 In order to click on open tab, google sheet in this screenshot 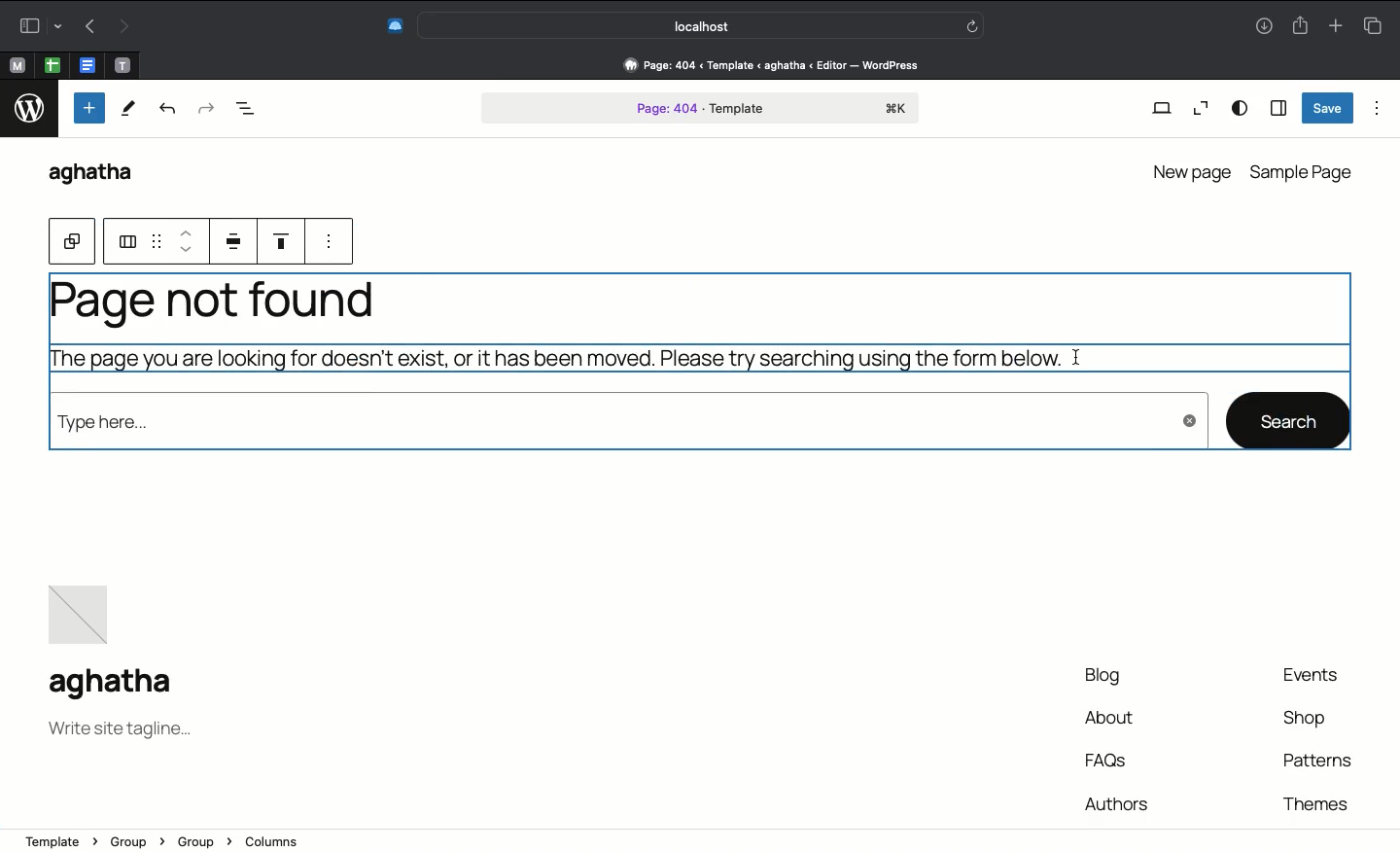, I will do `click(51, 65)`.